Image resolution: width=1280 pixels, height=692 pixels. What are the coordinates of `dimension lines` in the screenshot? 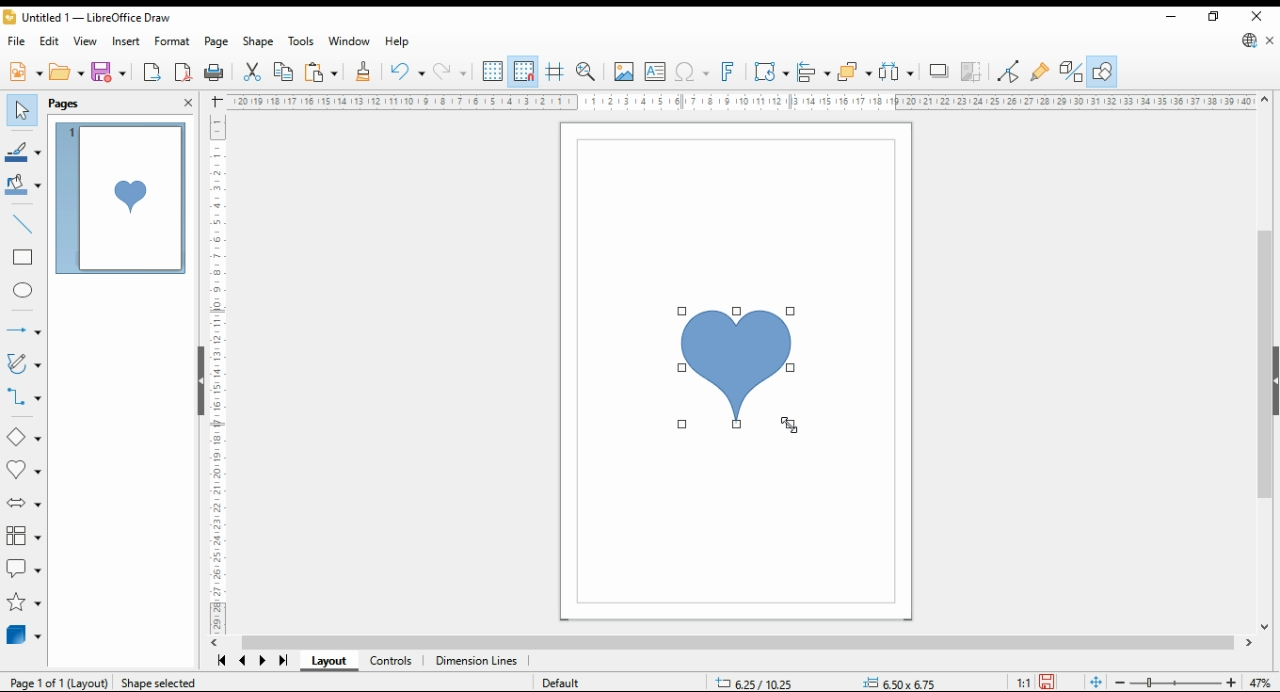 It's located at (477, 662).